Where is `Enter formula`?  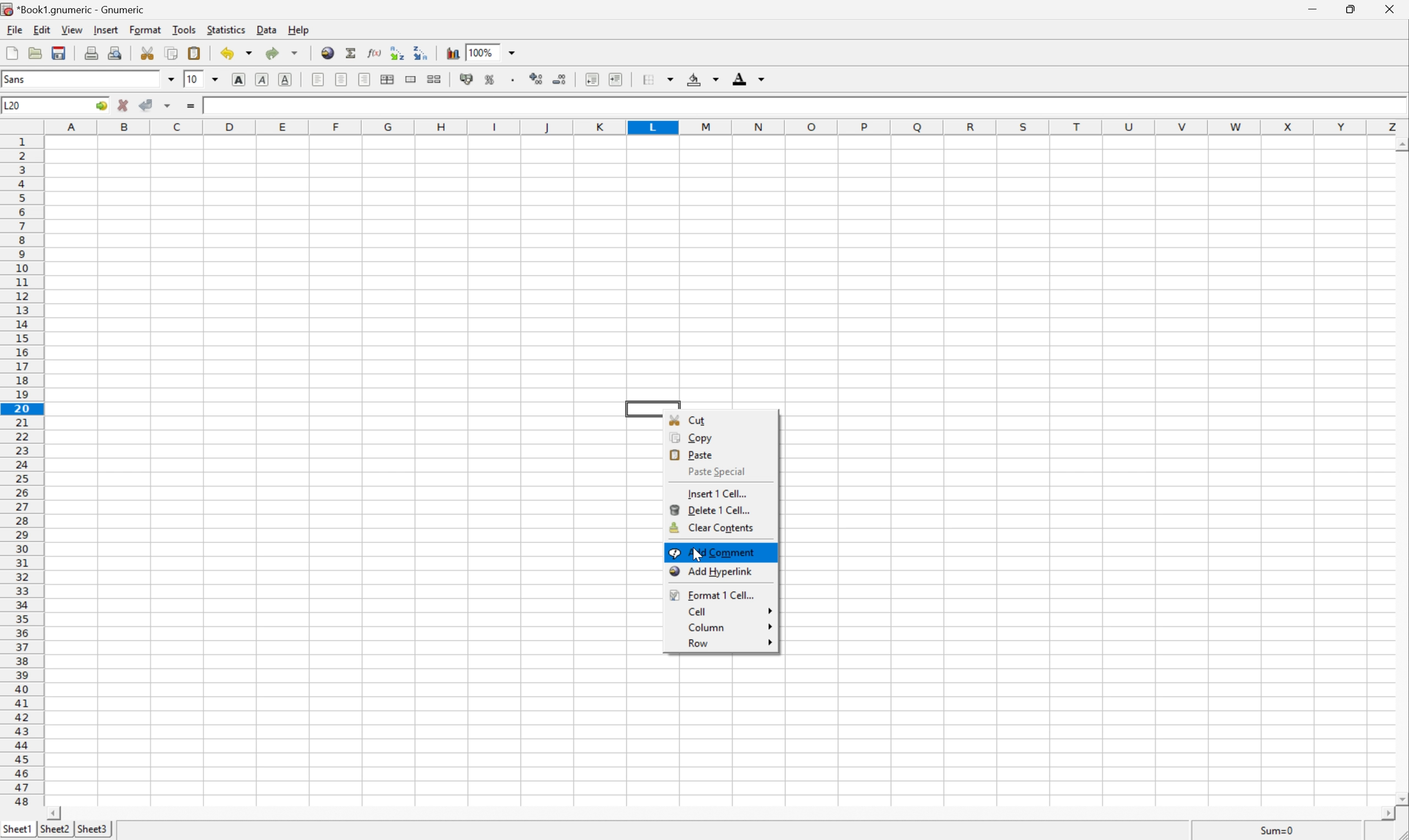
Enter formula is located at coordinates (190, 107).